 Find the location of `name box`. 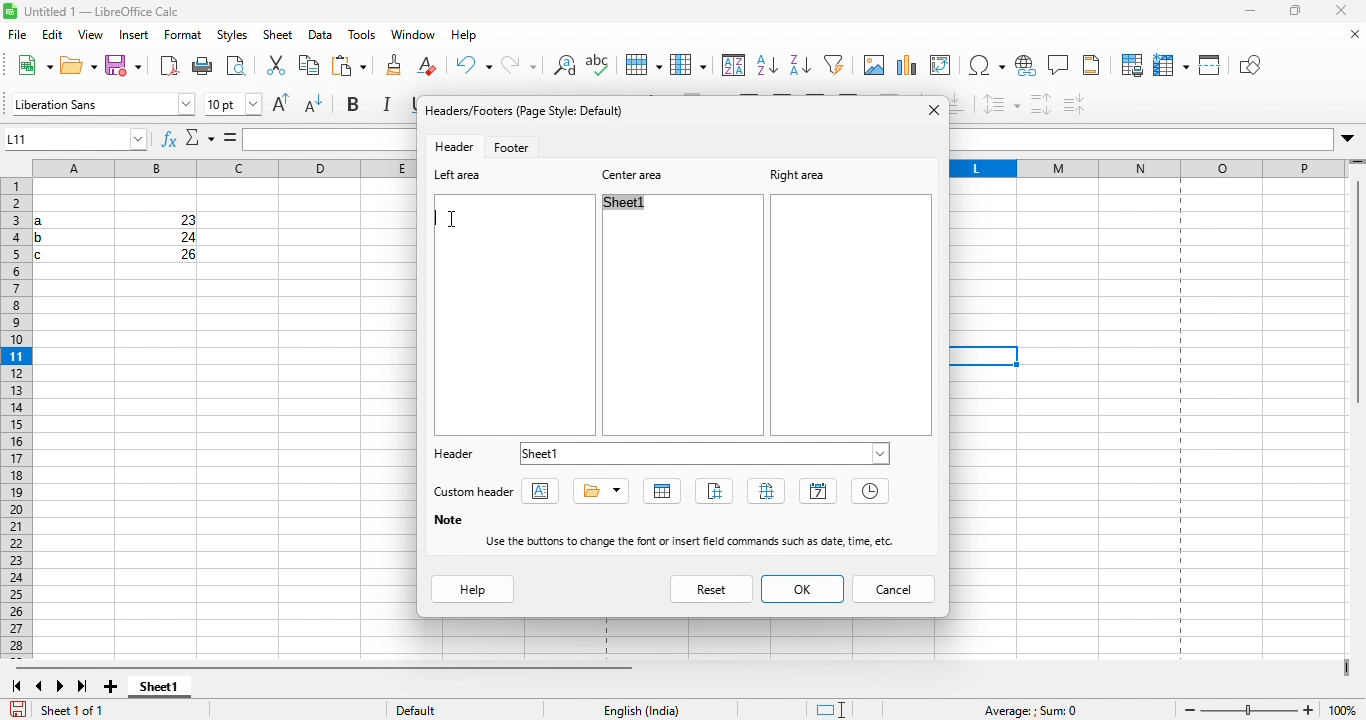

name box is located at coordinates (78, 140).